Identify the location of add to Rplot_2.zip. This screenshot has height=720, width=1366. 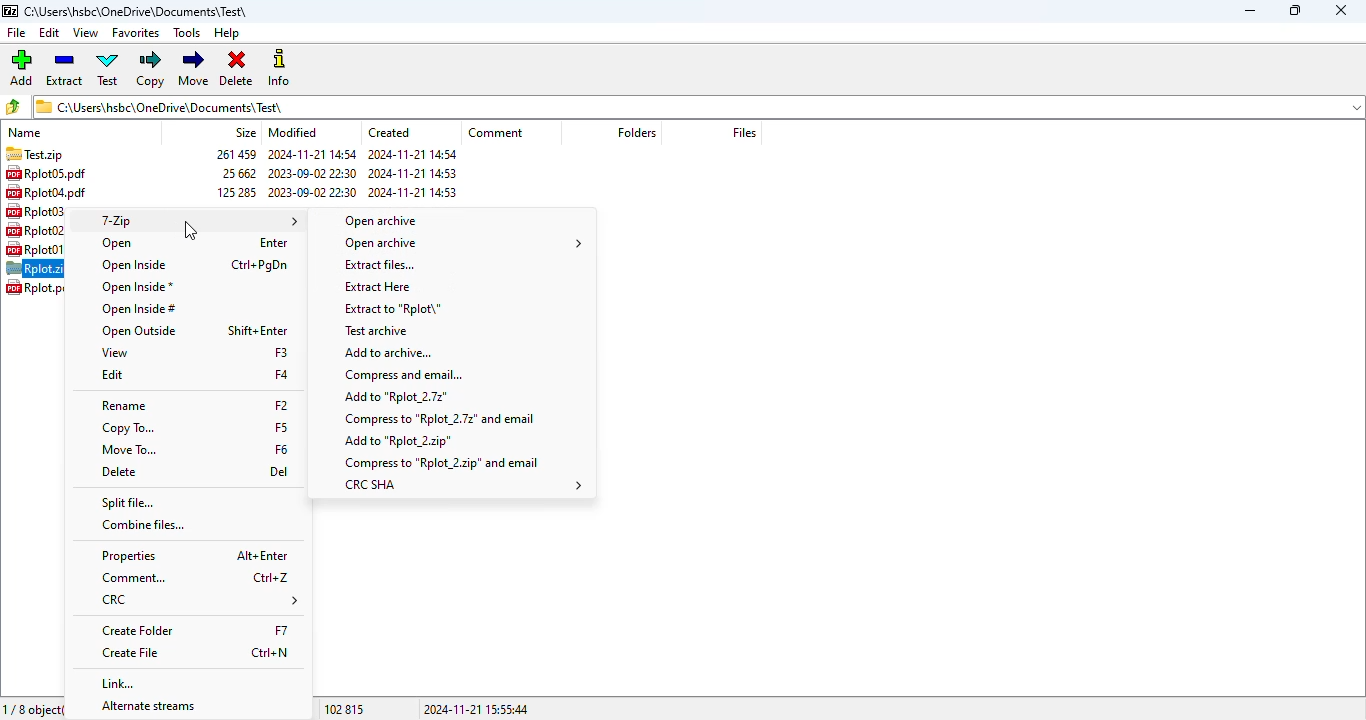
(400, 441).